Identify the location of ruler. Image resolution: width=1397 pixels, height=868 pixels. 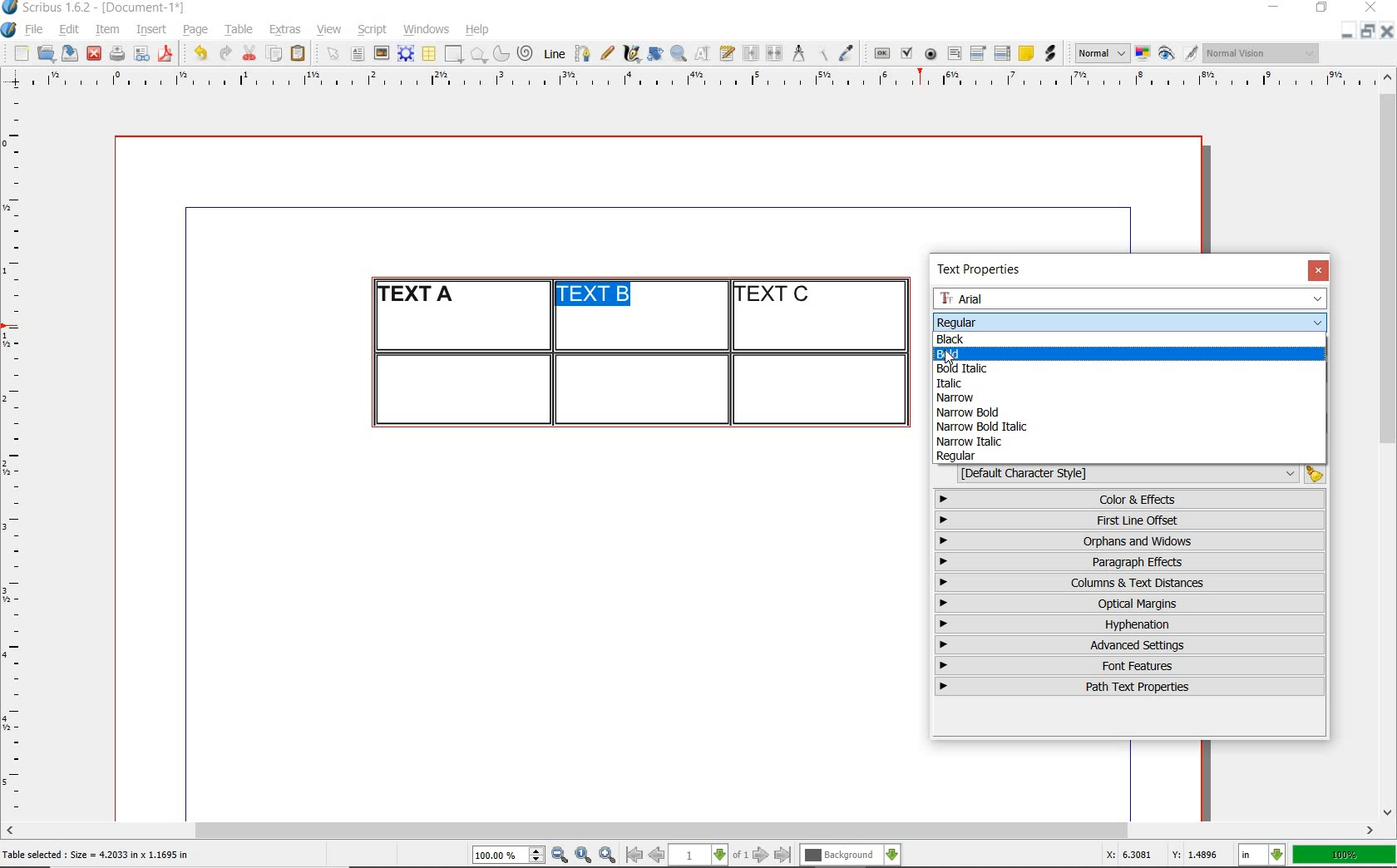
(709, 81).